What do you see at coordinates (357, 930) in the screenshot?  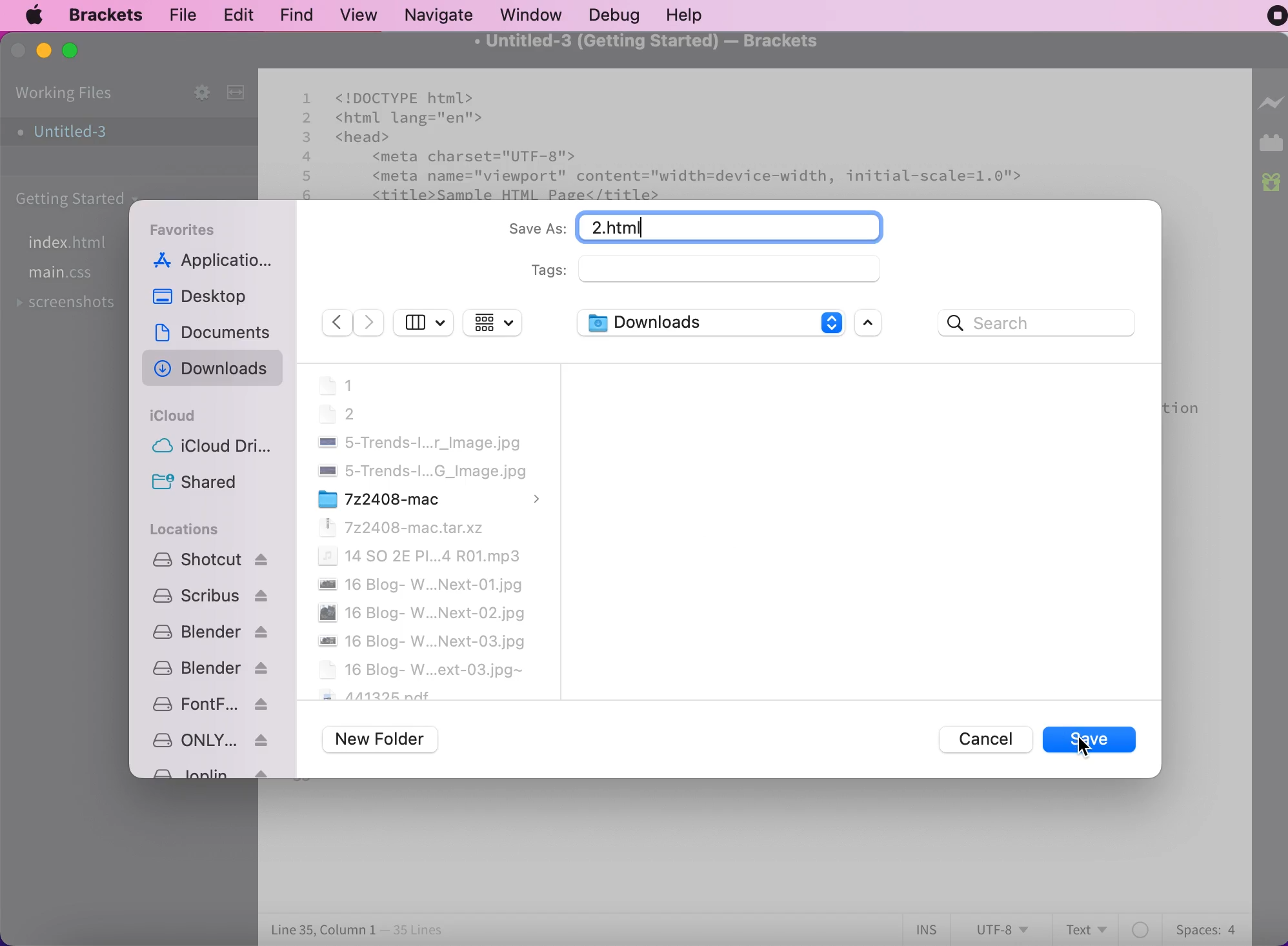 I see `line 35, column 1 - 35 lines` at bounding box center [357, 930].